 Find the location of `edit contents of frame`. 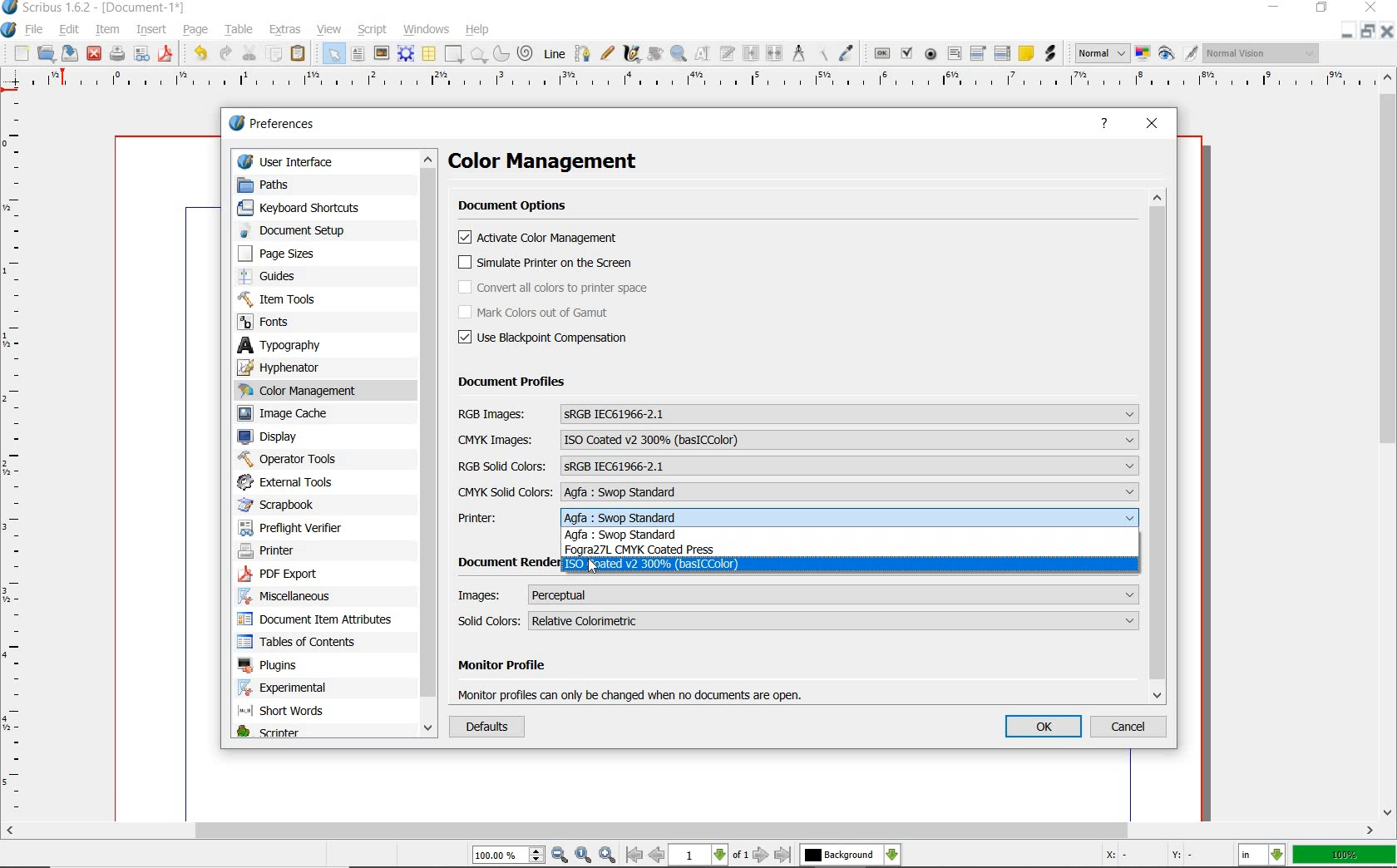

edit contents of frame is located at coordinates (703, 52).